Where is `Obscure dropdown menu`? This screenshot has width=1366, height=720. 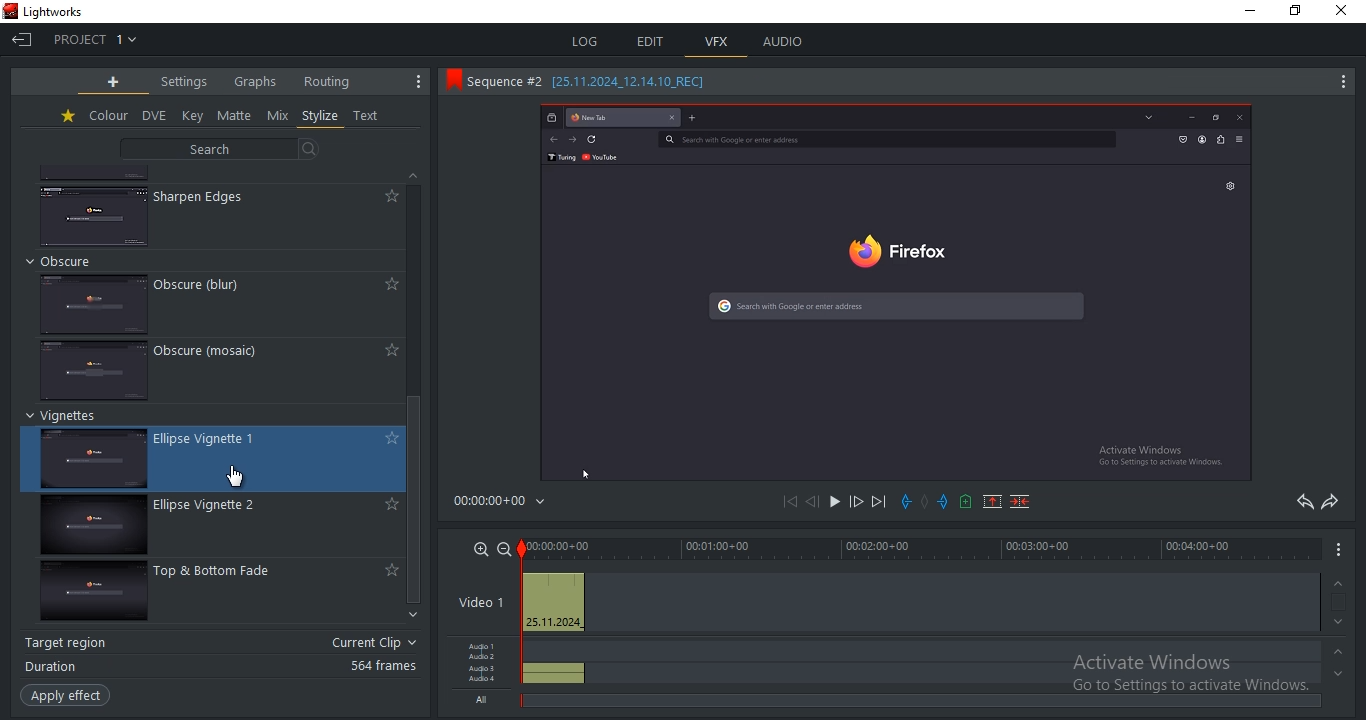
Obscure dropdown menu is located at coordinates (72, 261).